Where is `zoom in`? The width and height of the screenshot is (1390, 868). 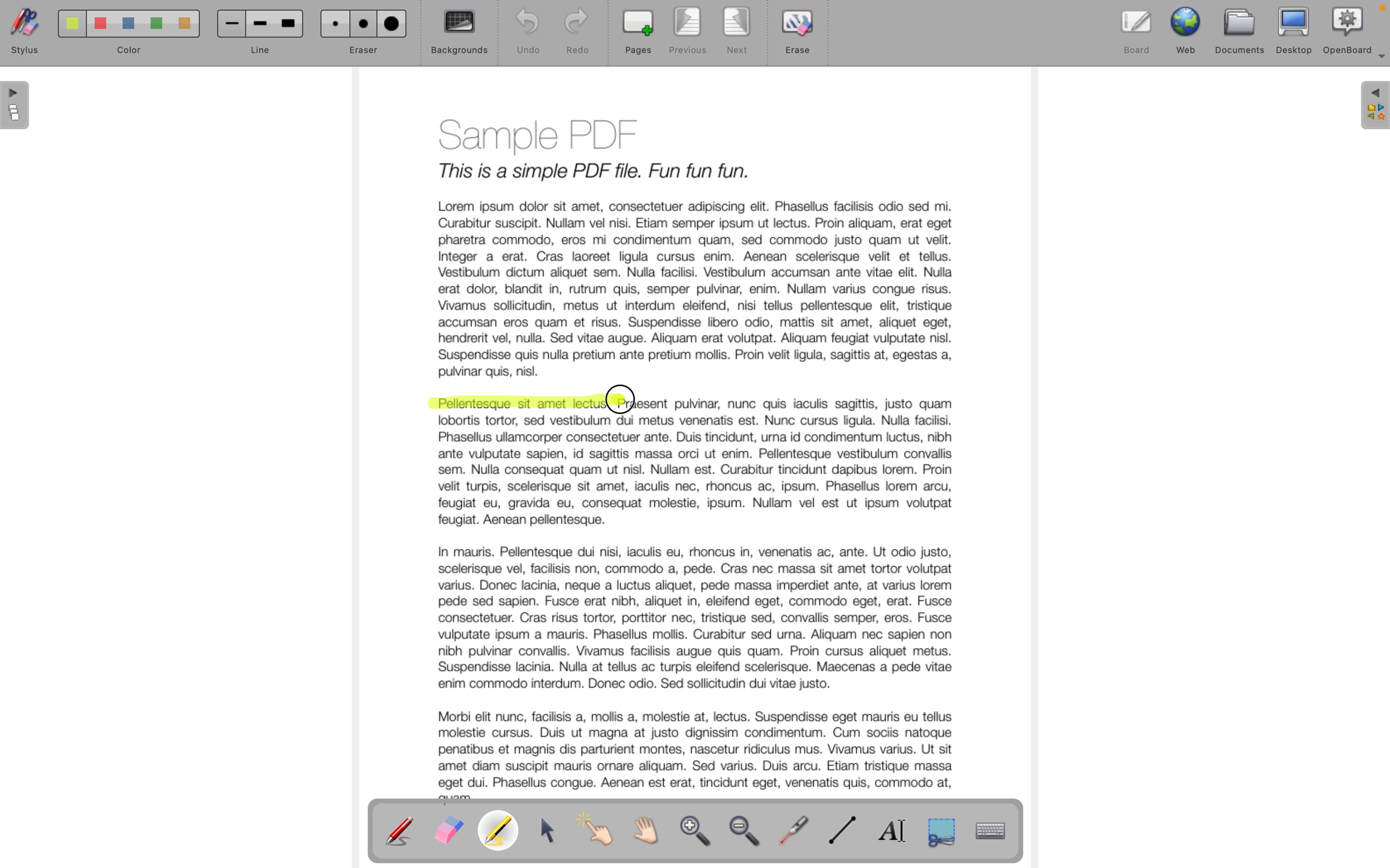 zoom in is located at coordinates (697, 834).